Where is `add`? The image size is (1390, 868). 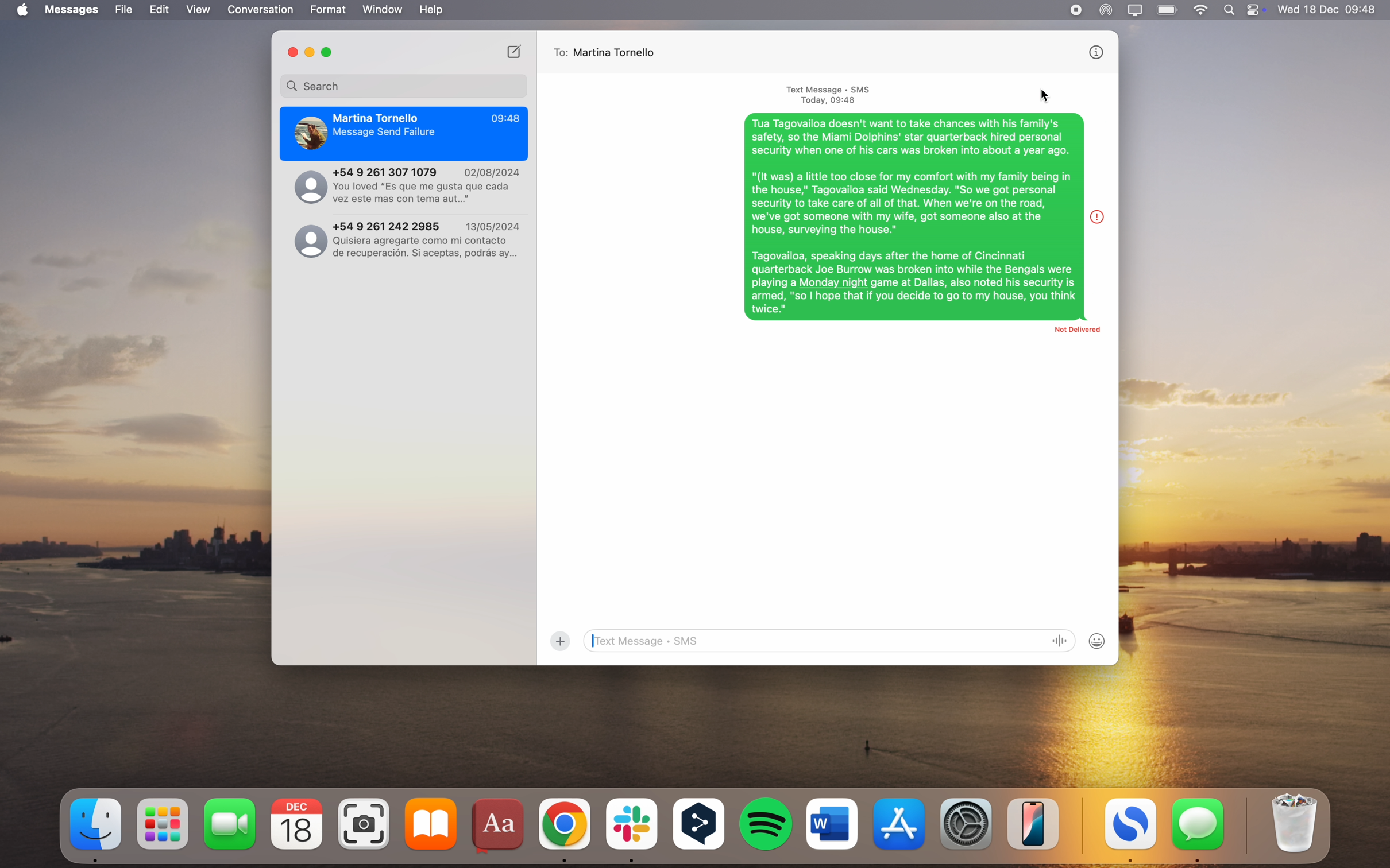 add is located at coordinates (560, 641).